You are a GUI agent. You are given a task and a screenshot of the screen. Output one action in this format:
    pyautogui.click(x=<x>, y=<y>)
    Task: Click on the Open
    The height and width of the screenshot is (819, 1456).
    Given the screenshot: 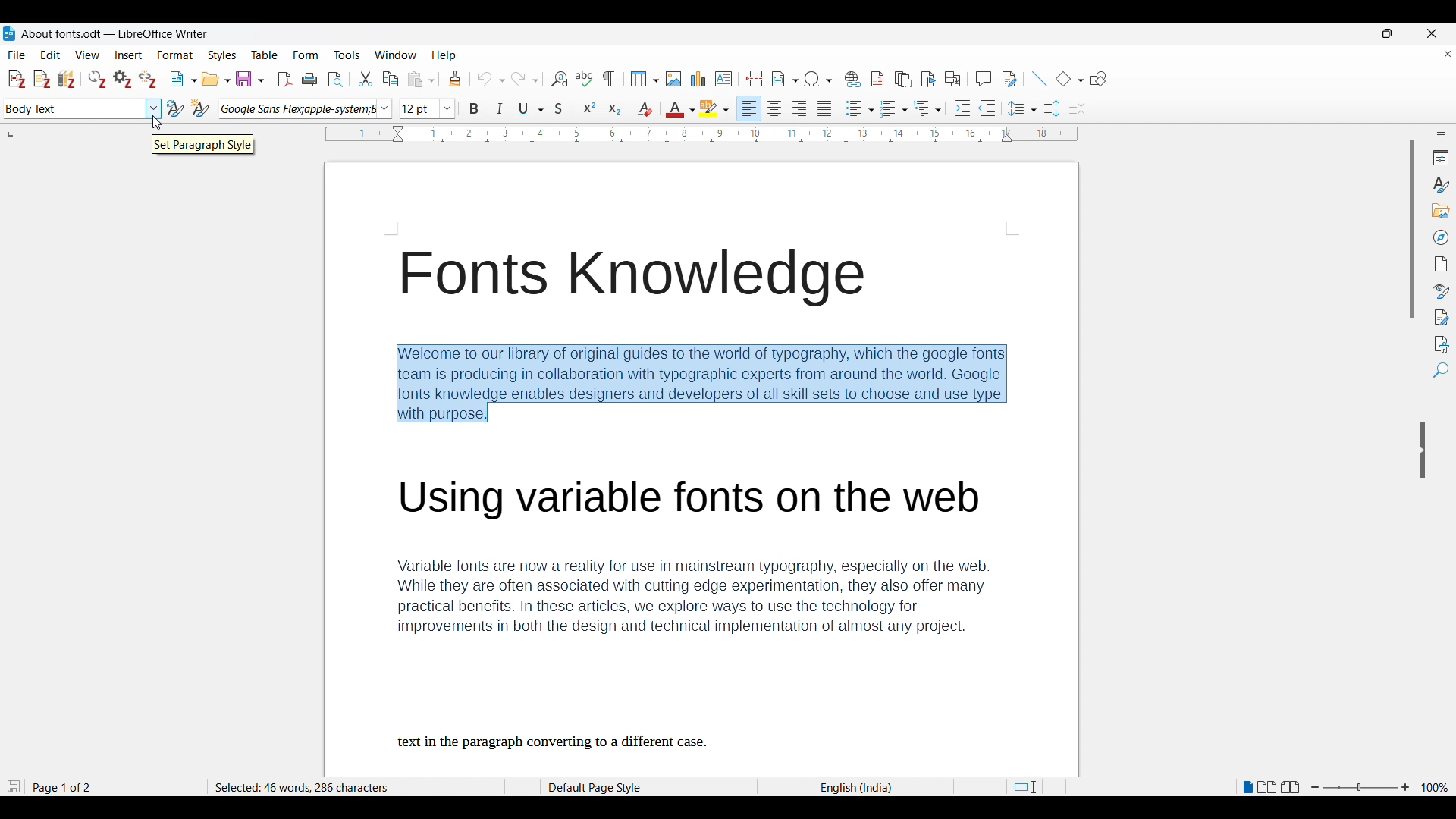 What is the action you would take?
    pyautogui.click(x=216, y=79)
    